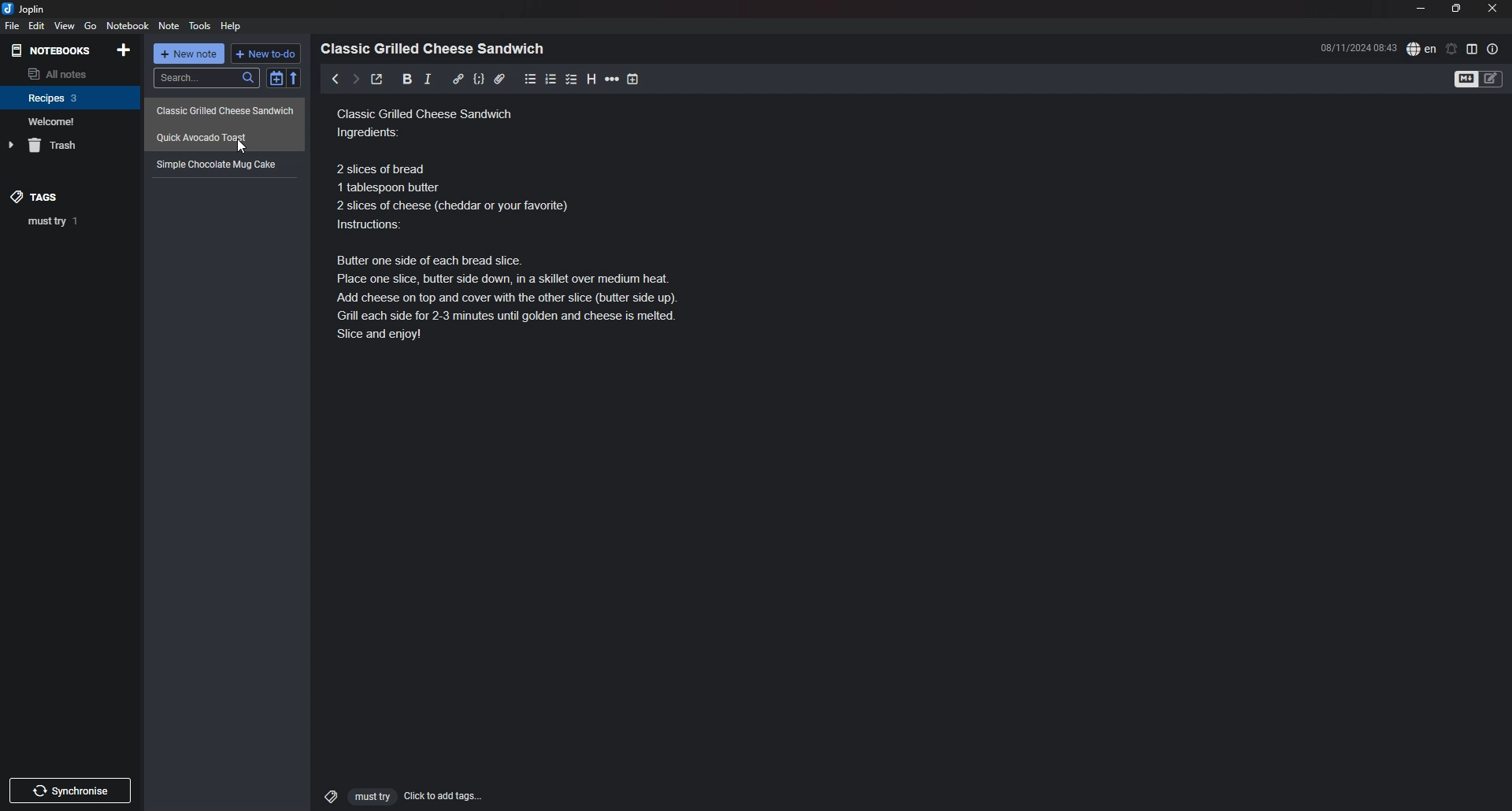  I want to click on bullet list, so click(531, 79).